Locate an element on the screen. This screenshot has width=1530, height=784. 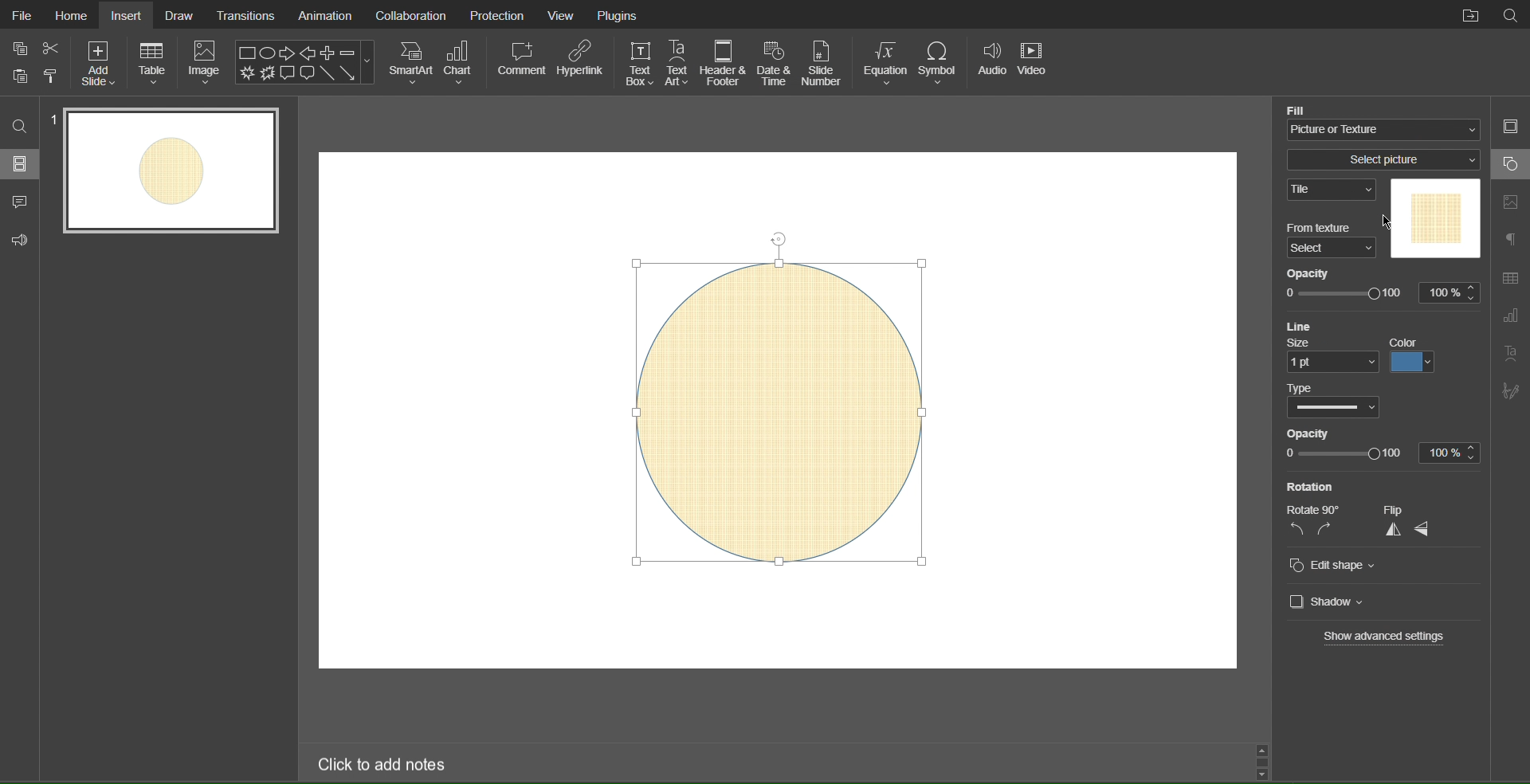
 is located at coordinates (1316, 512).